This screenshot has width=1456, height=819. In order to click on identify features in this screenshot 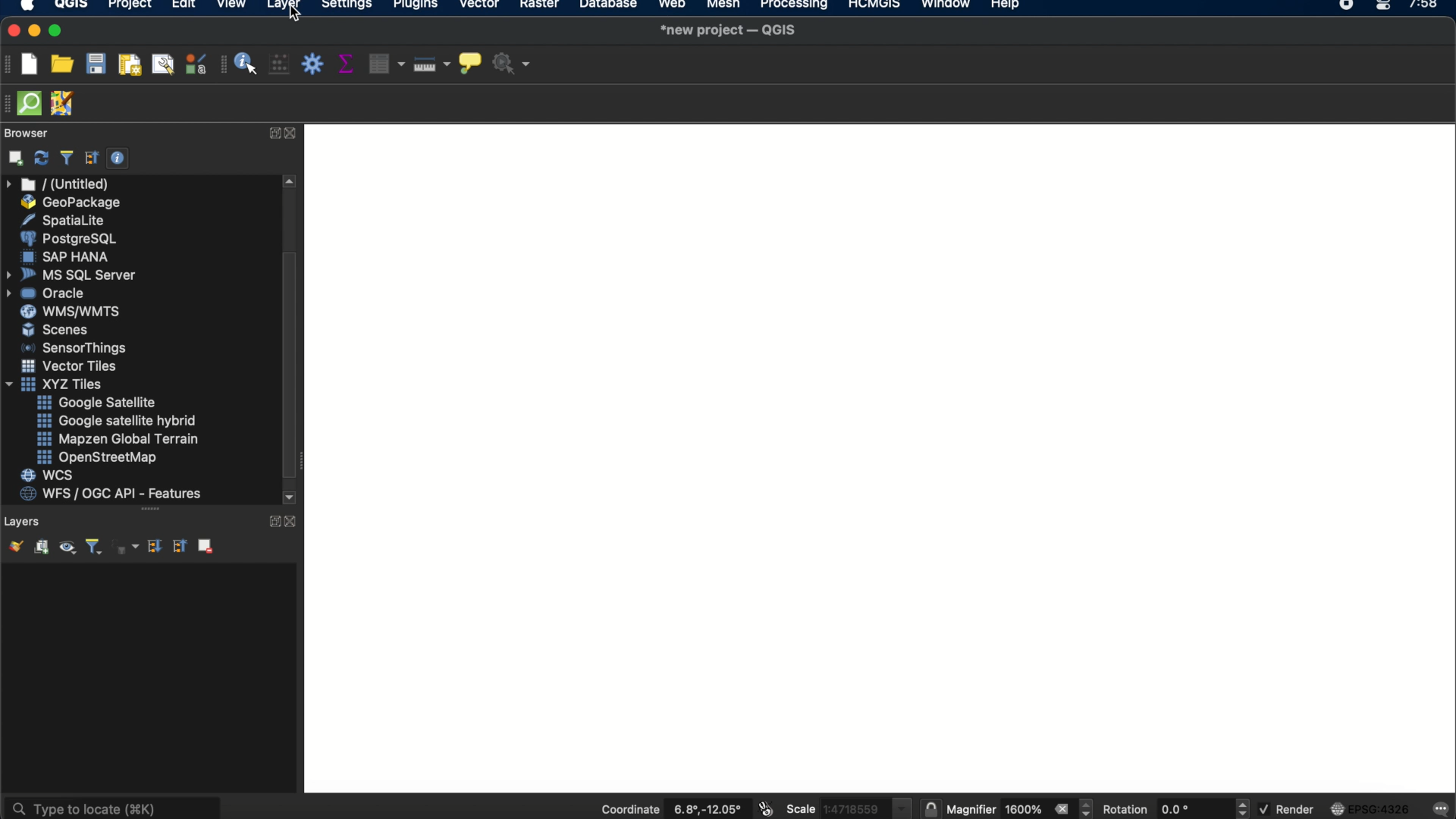, I will do `click(240, 64)`.